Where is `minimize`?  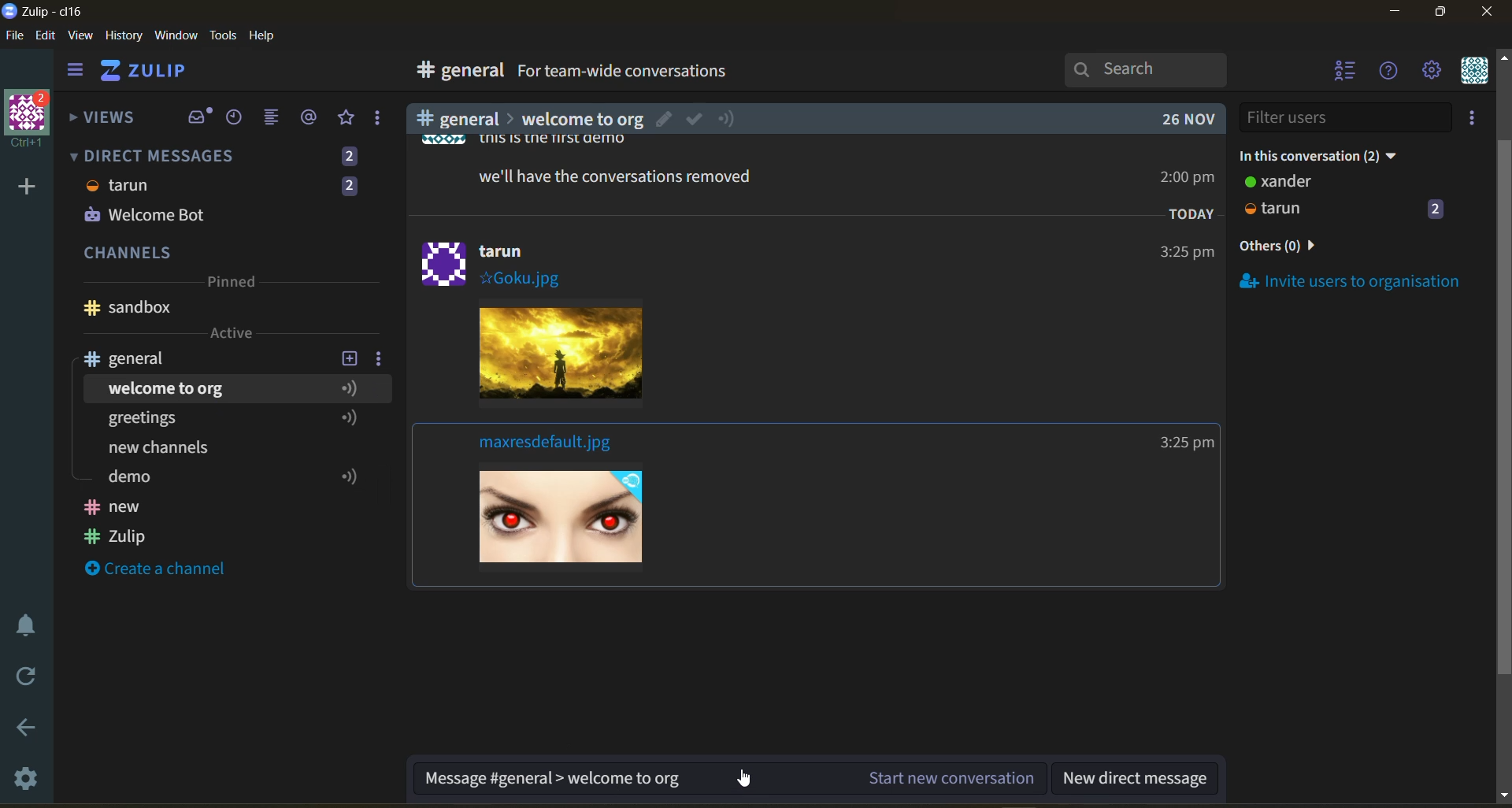
minimize is located at coordinates (1395, 14).